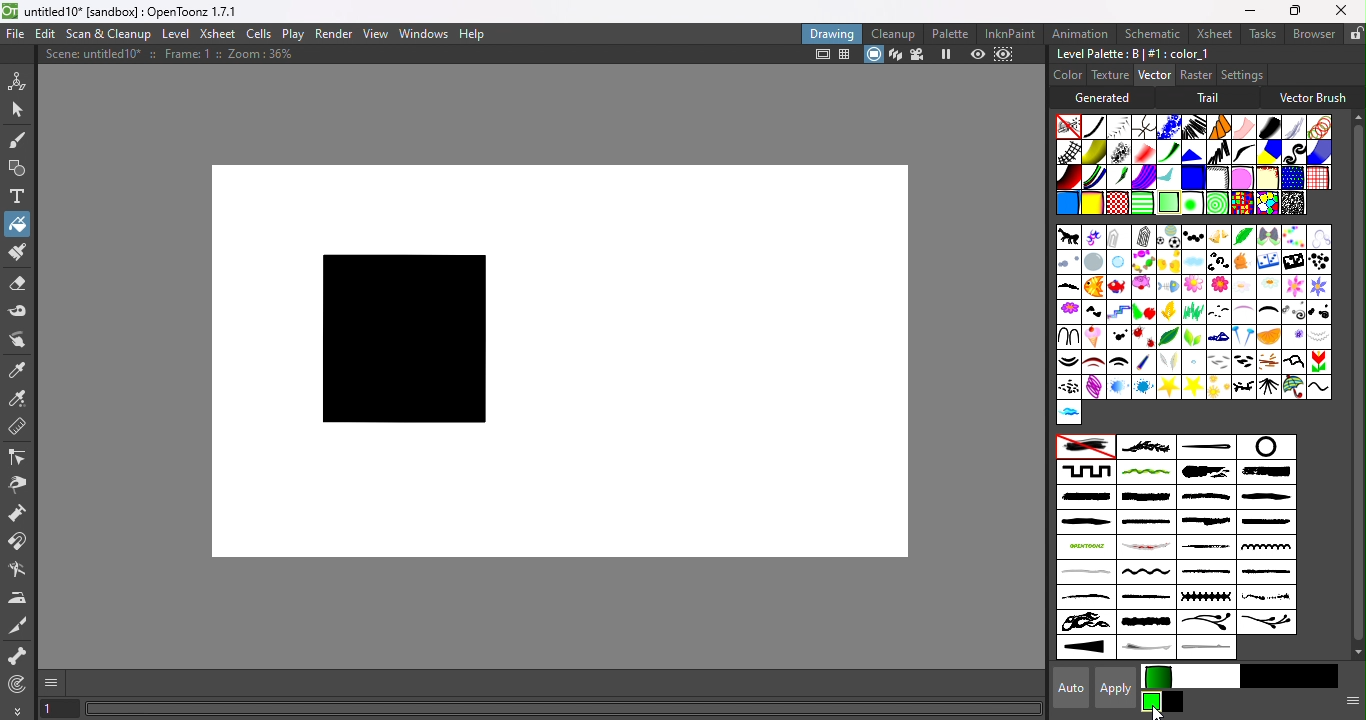 This screenshot has height=720, width=1366. Describe the element at coordinates (916, 55) in the screenshot. I see `Camera view` at that location.